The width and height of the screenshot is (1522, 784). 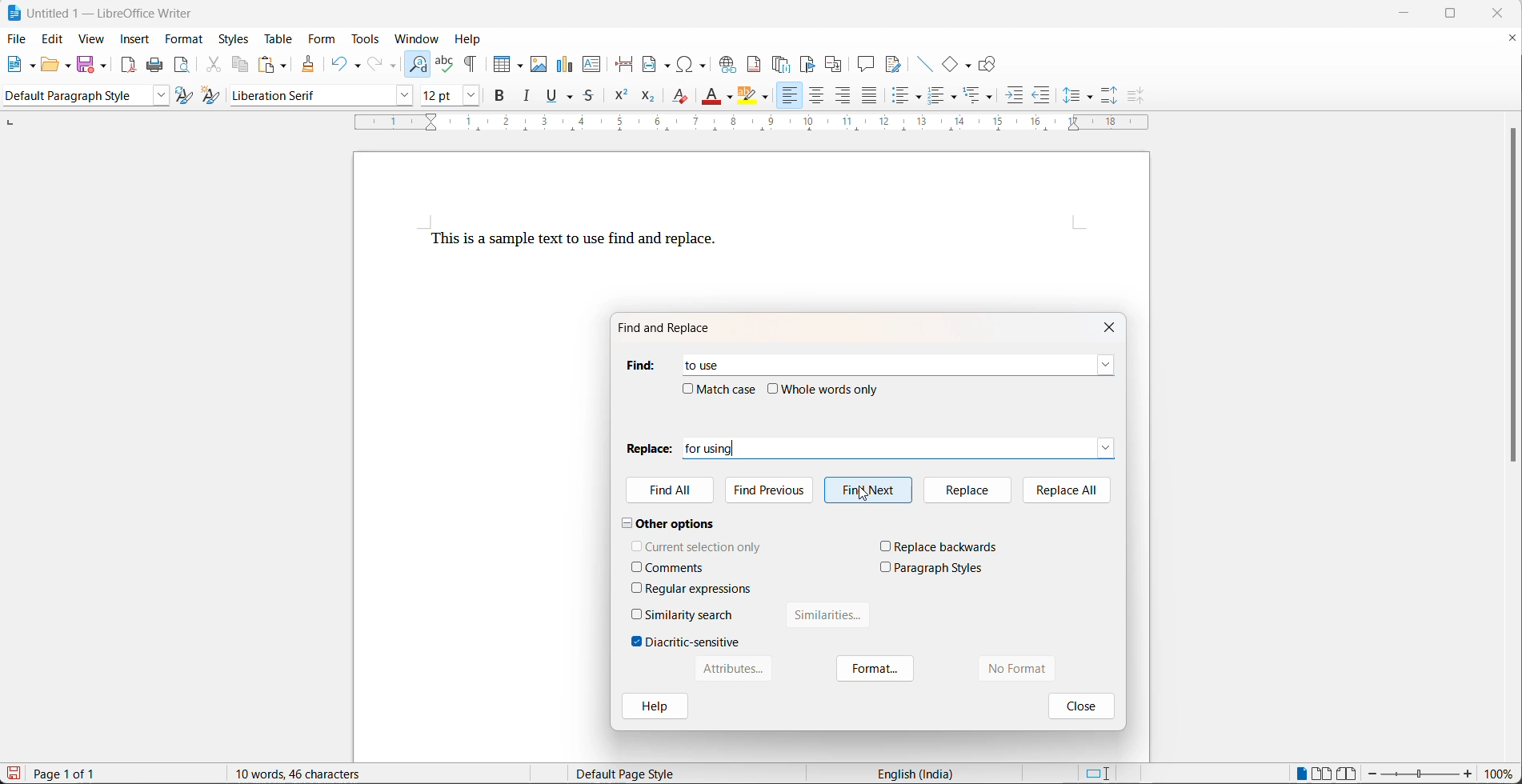 I want to click on decrease zoom, so click(x=1372, y=774).